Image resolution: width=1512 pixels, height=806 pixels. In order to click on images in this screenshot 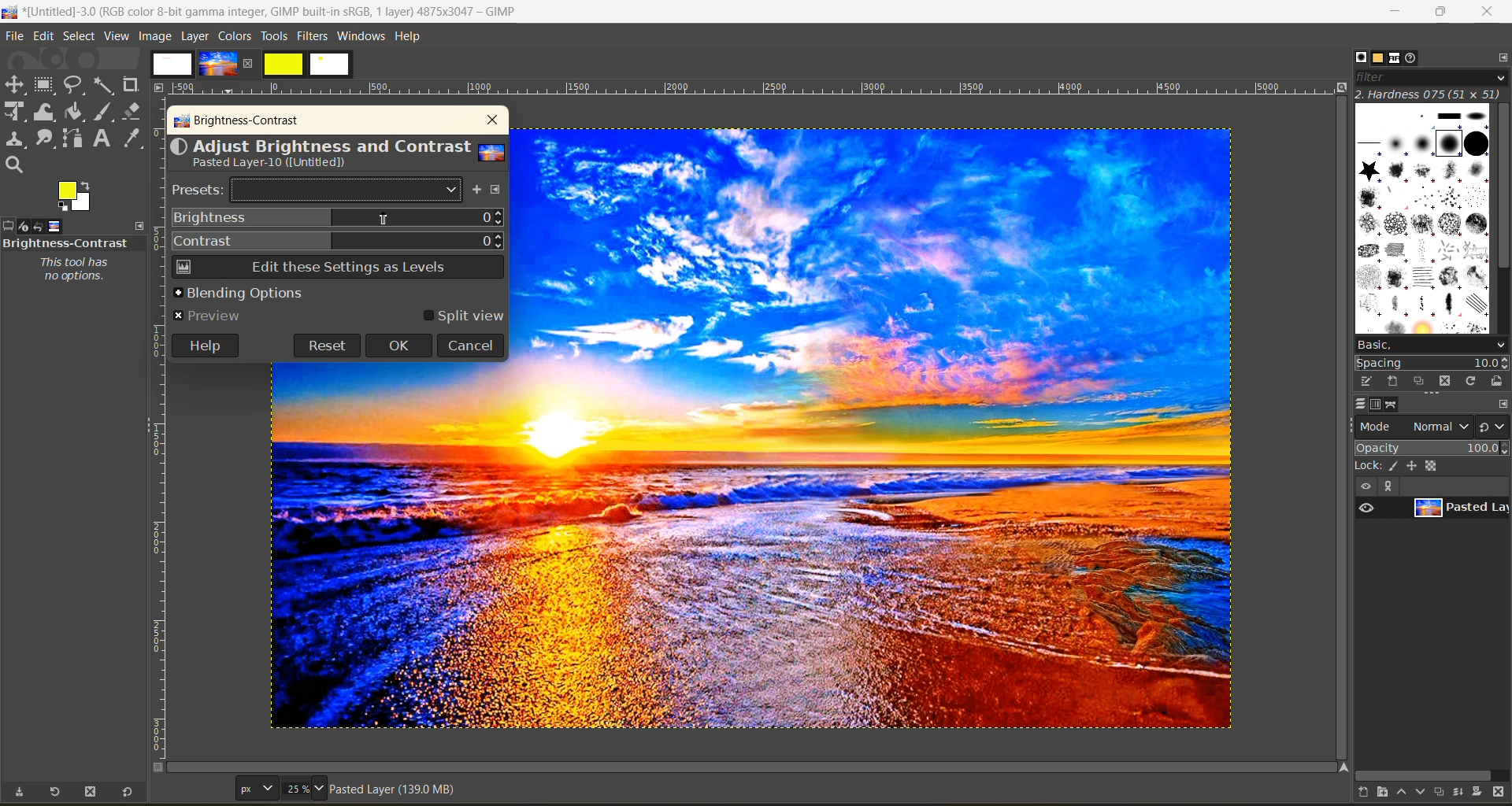, I will do `click(250, 65)`.